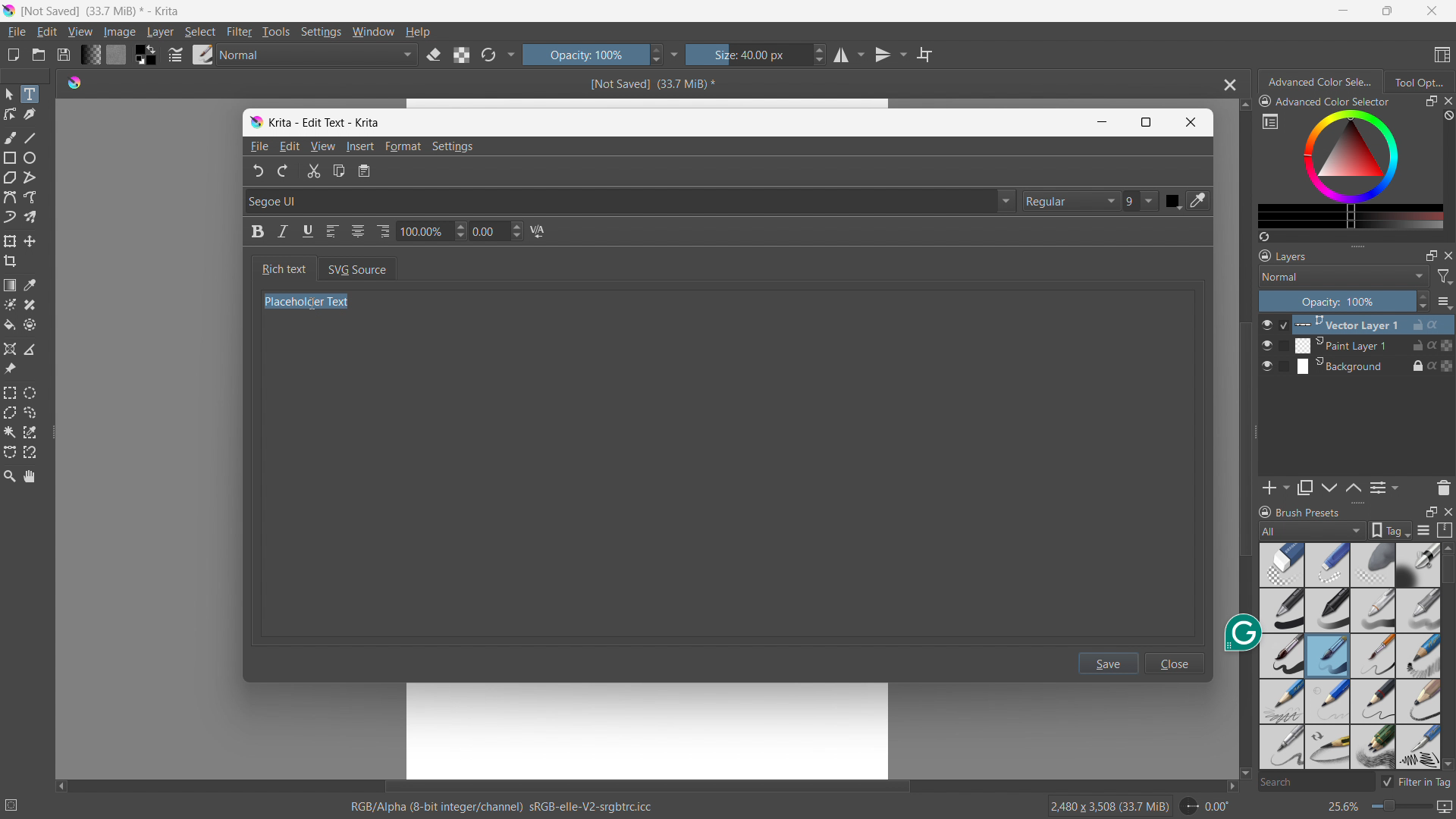 This screenshot has width=1456, height=819. I want to click on edit, so click(46, 33).